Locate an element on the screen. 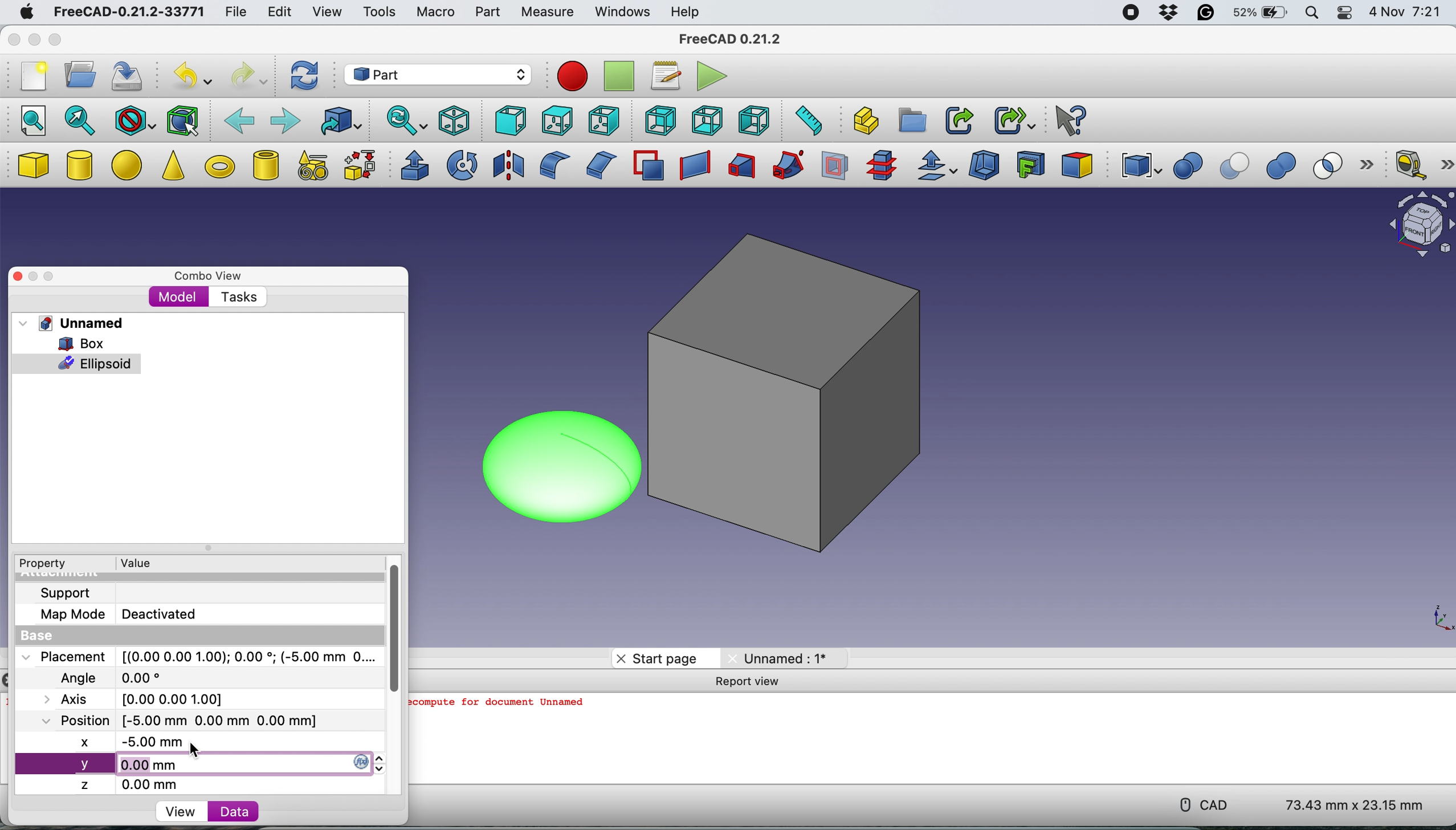  record macros is located at coordinates (572, 76).